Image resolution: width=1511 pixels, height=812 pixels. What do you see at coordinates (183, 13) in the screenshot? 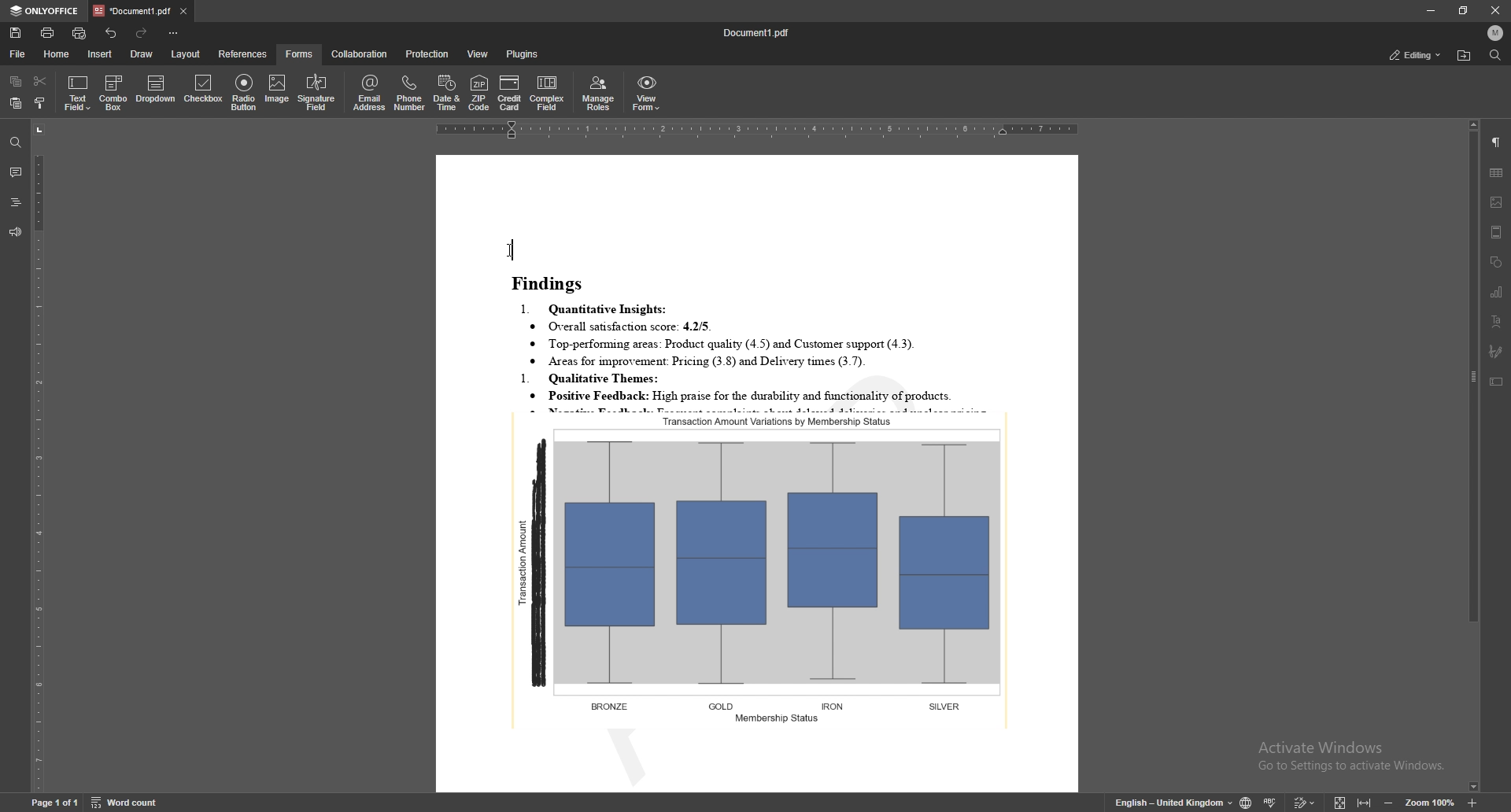
I see `close tab` at bounding box center [183, 13].